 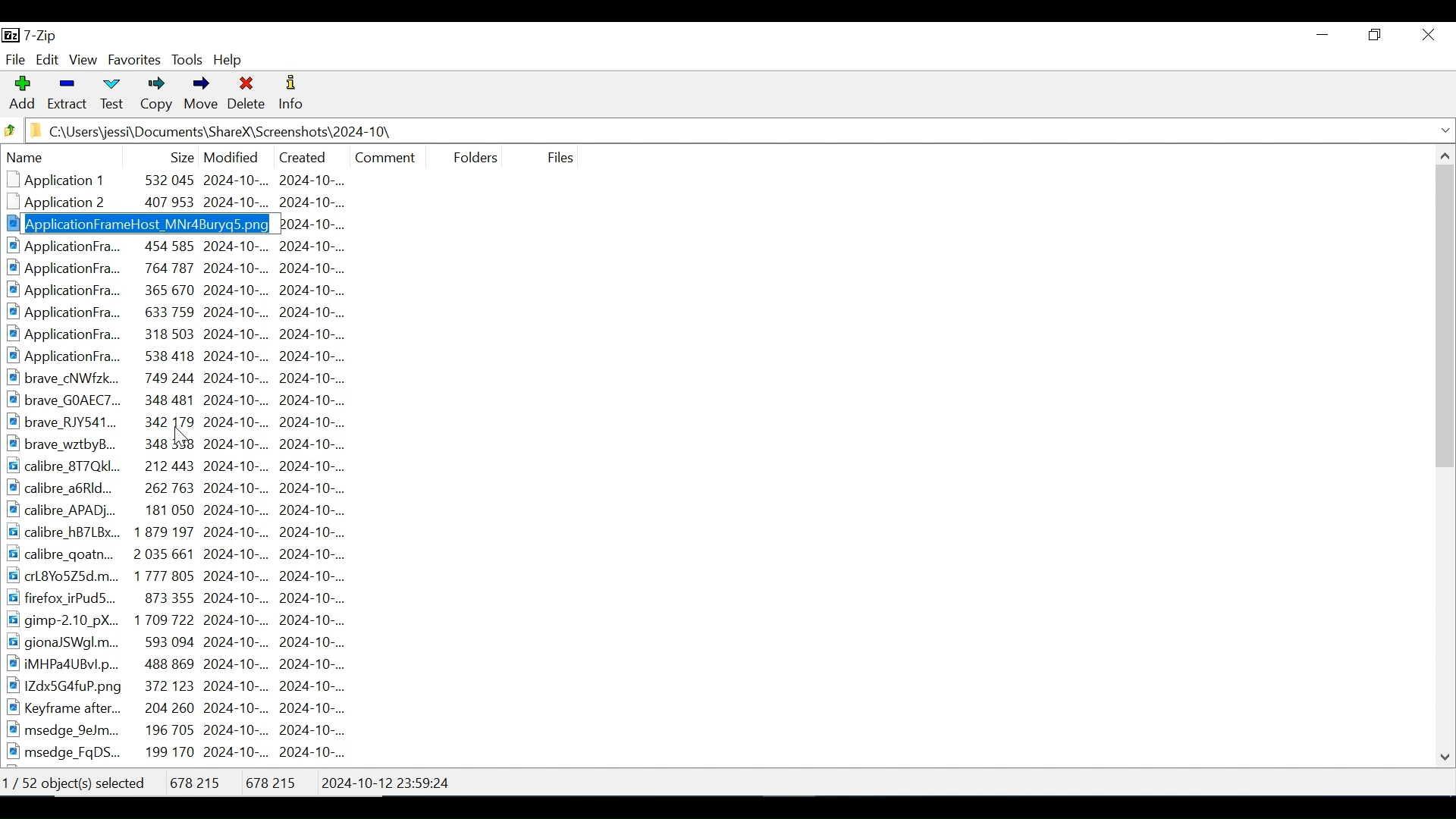 What do you see at coordinates (1443, 155) in the screenshot?
I see `Scroll up` at bounding box center [1443, 155].